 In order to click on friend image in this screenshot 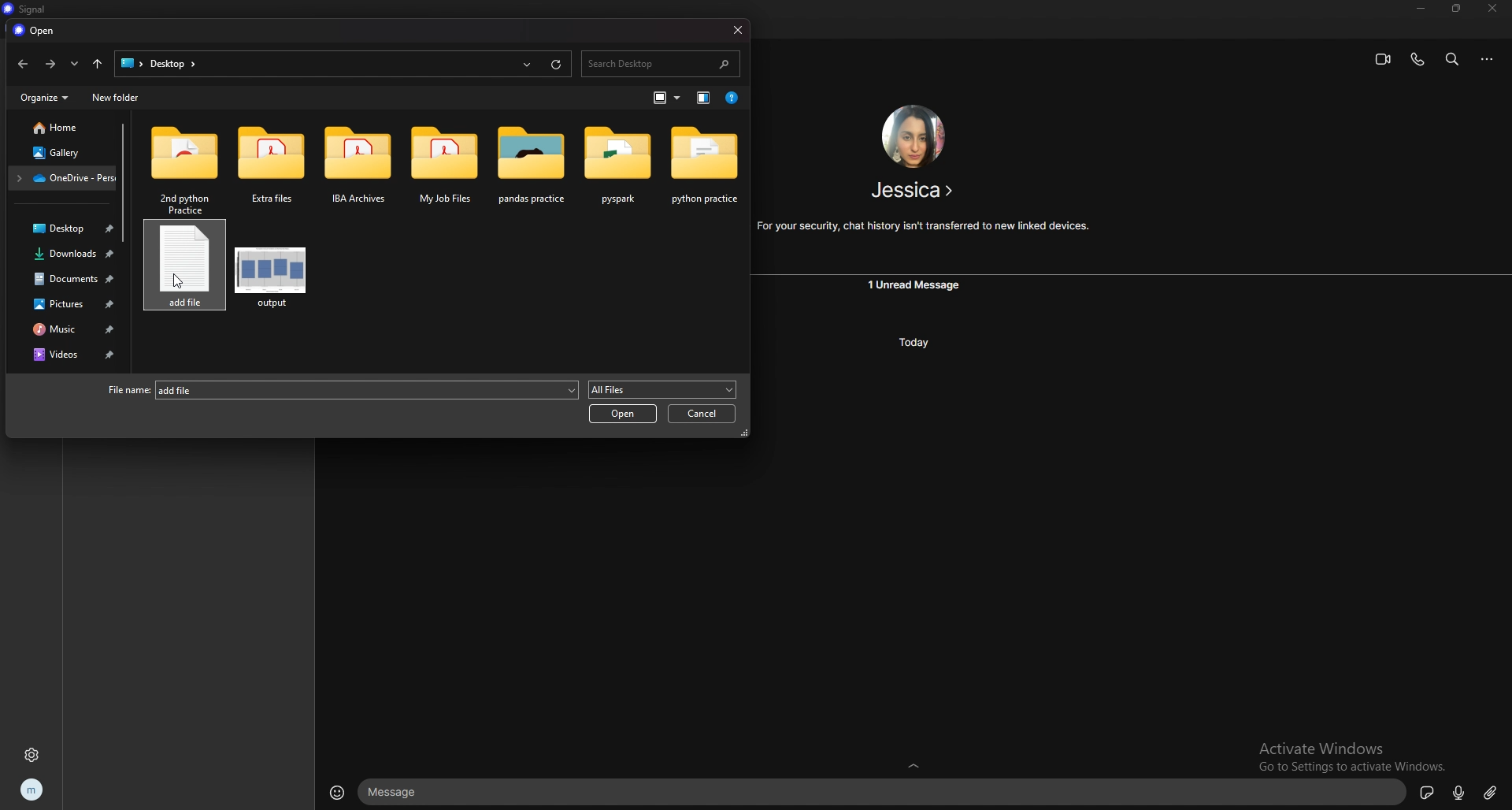, I will do `click(912, 137)`.